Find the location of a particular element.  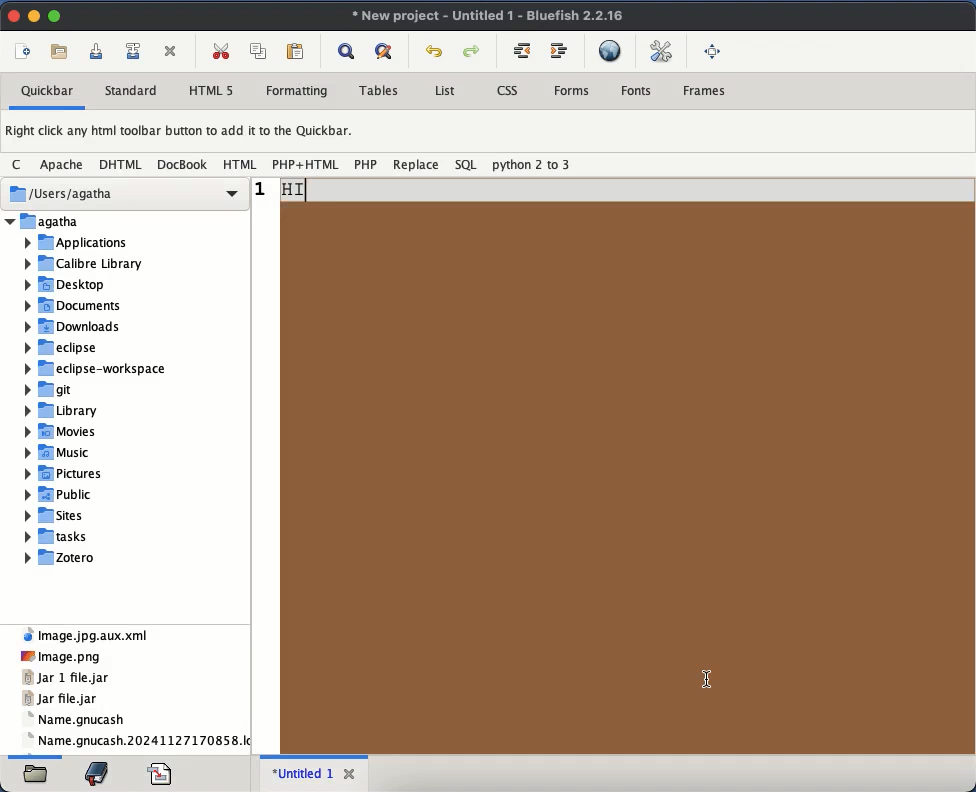

tasks is located at coordinates (58, 536).